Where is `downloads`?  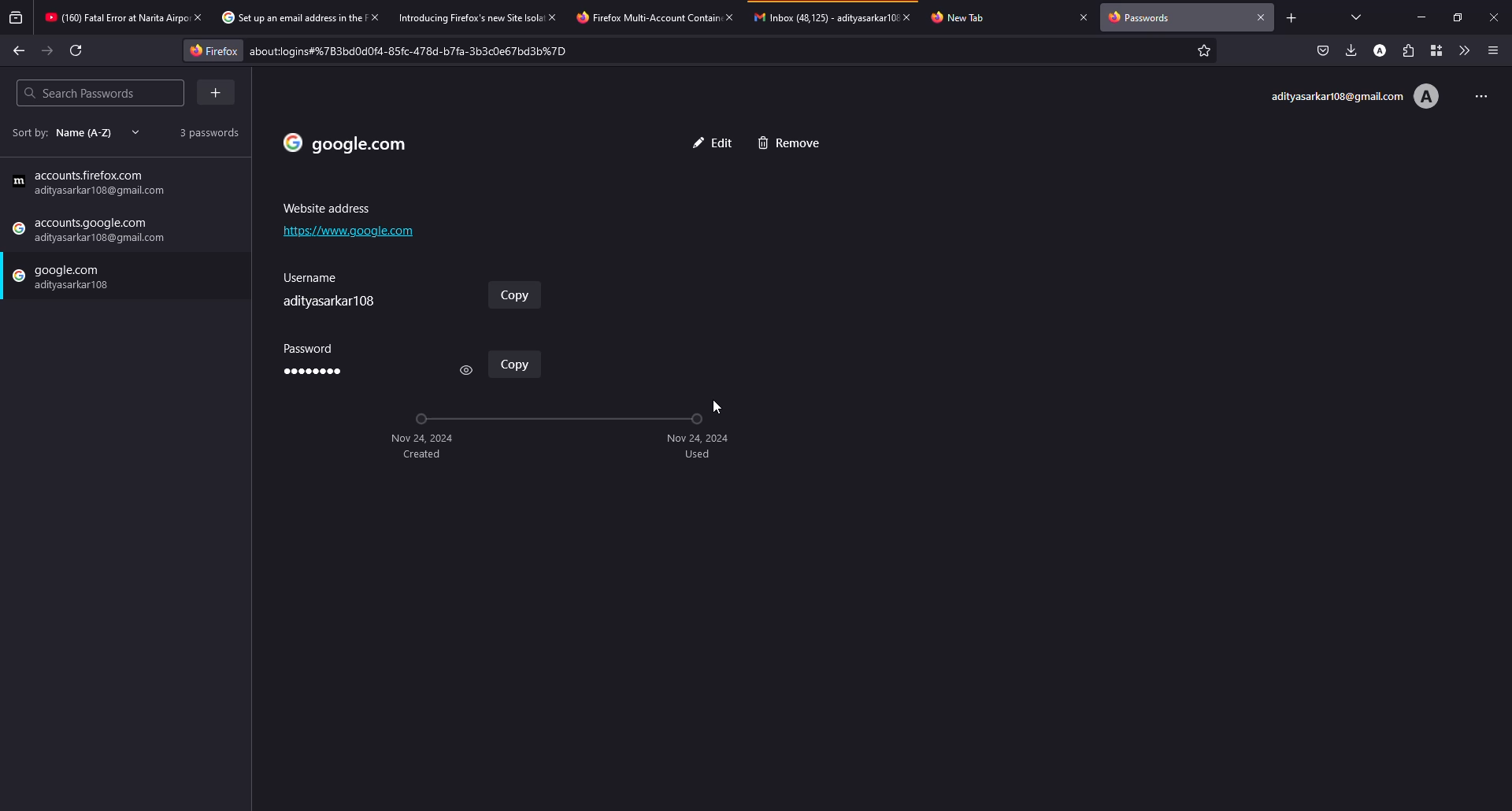
downloads is located at coordinates (1351, 50).